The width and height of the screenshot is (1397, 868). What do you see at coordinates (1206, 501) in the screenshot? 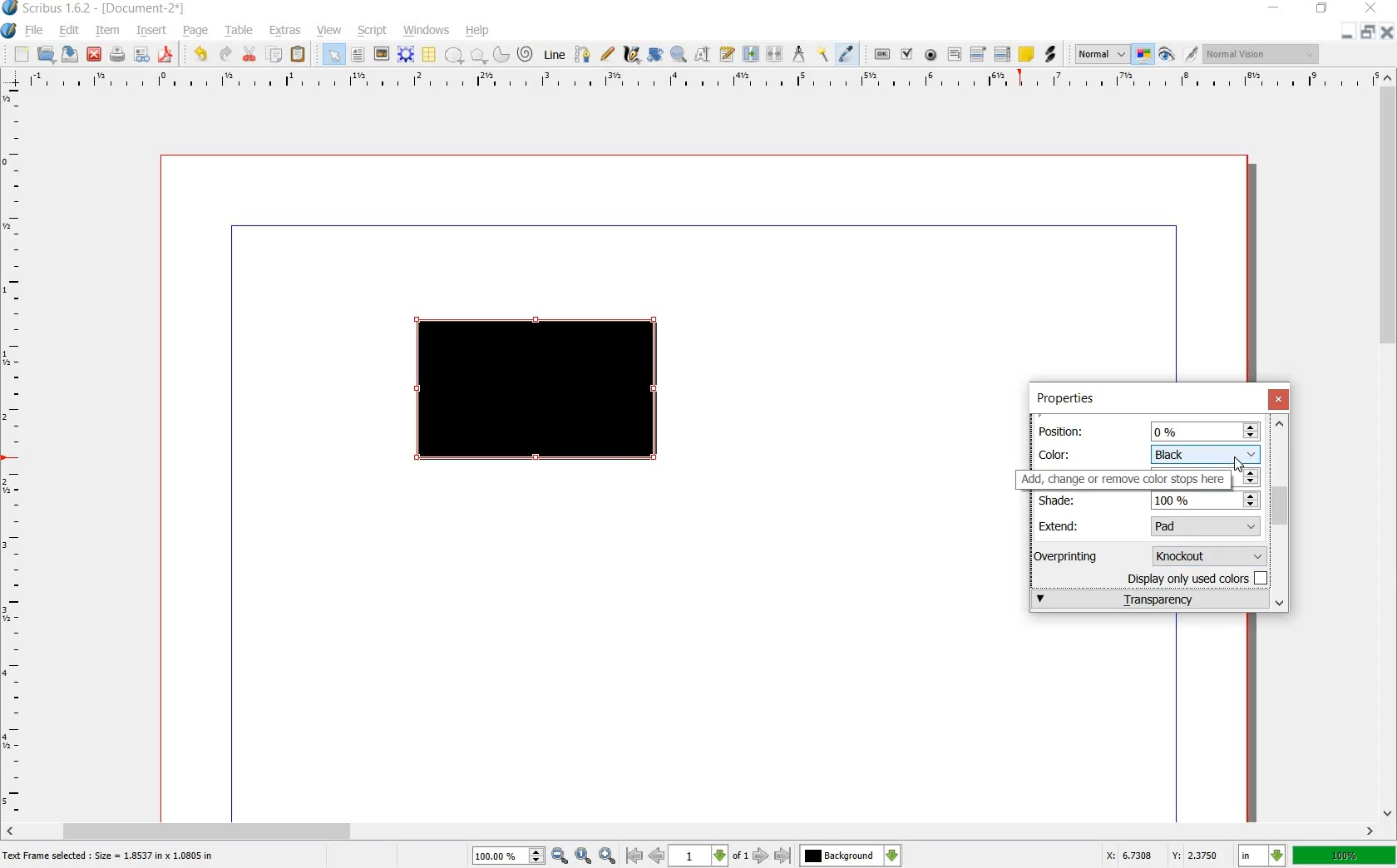
I see `100%` at bounding box center [1206, 501].